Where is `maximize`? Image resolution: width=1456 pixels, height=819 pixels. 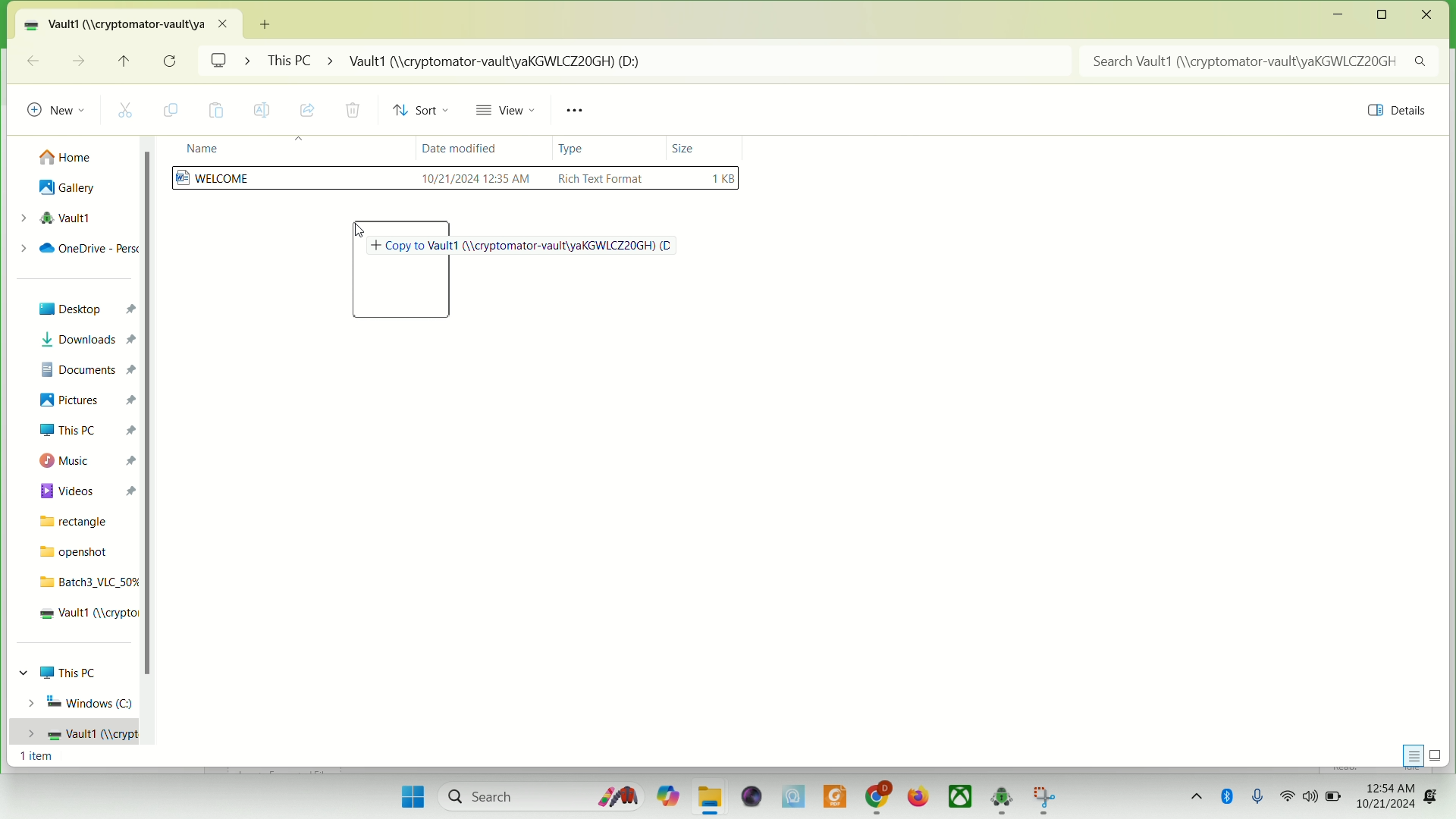 maximize is located at coordinates (1387, 15).